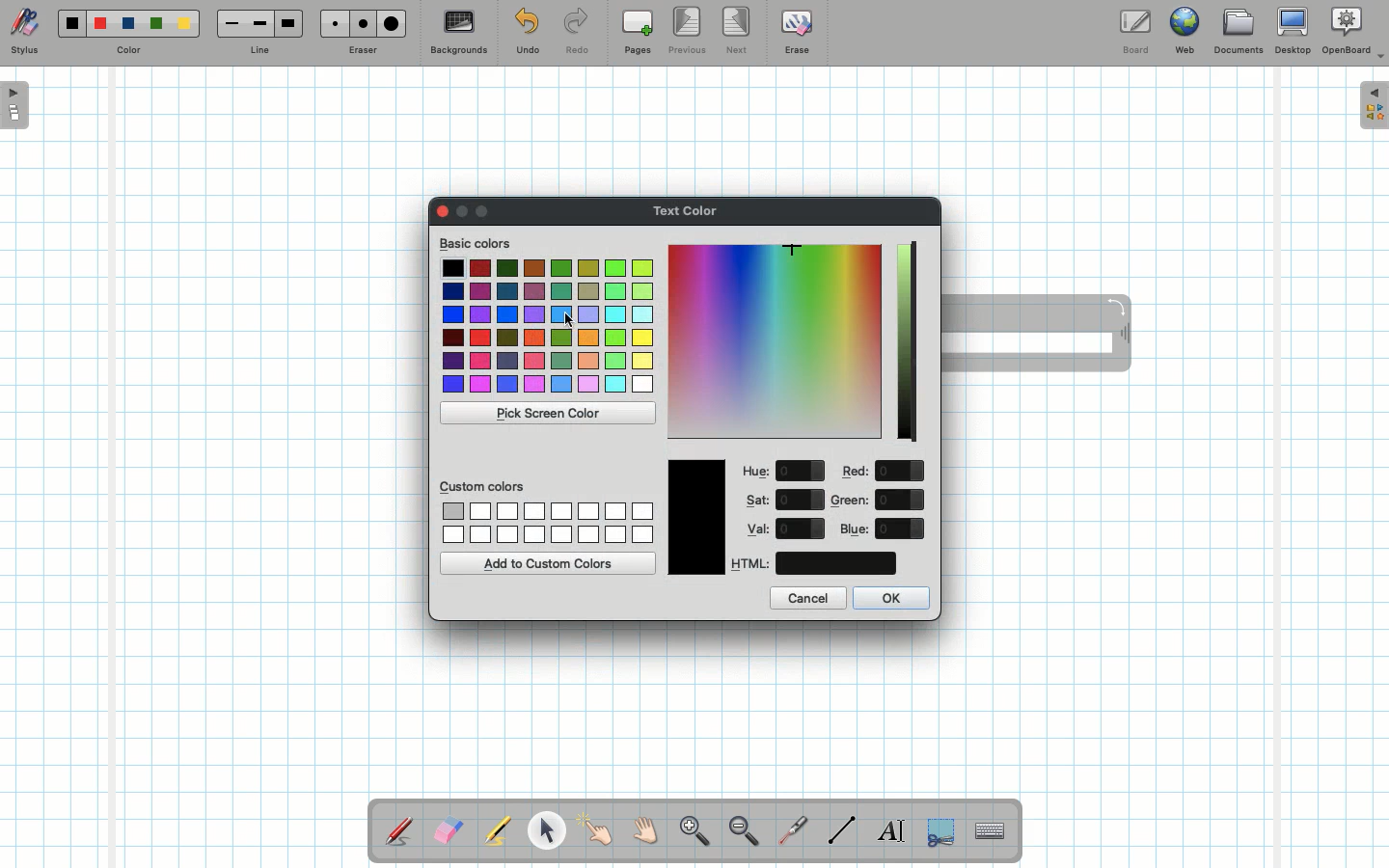  What do you see at coordinates (156, 25) in the screenshot?
I see `Green` at bounding box center [156, 25].